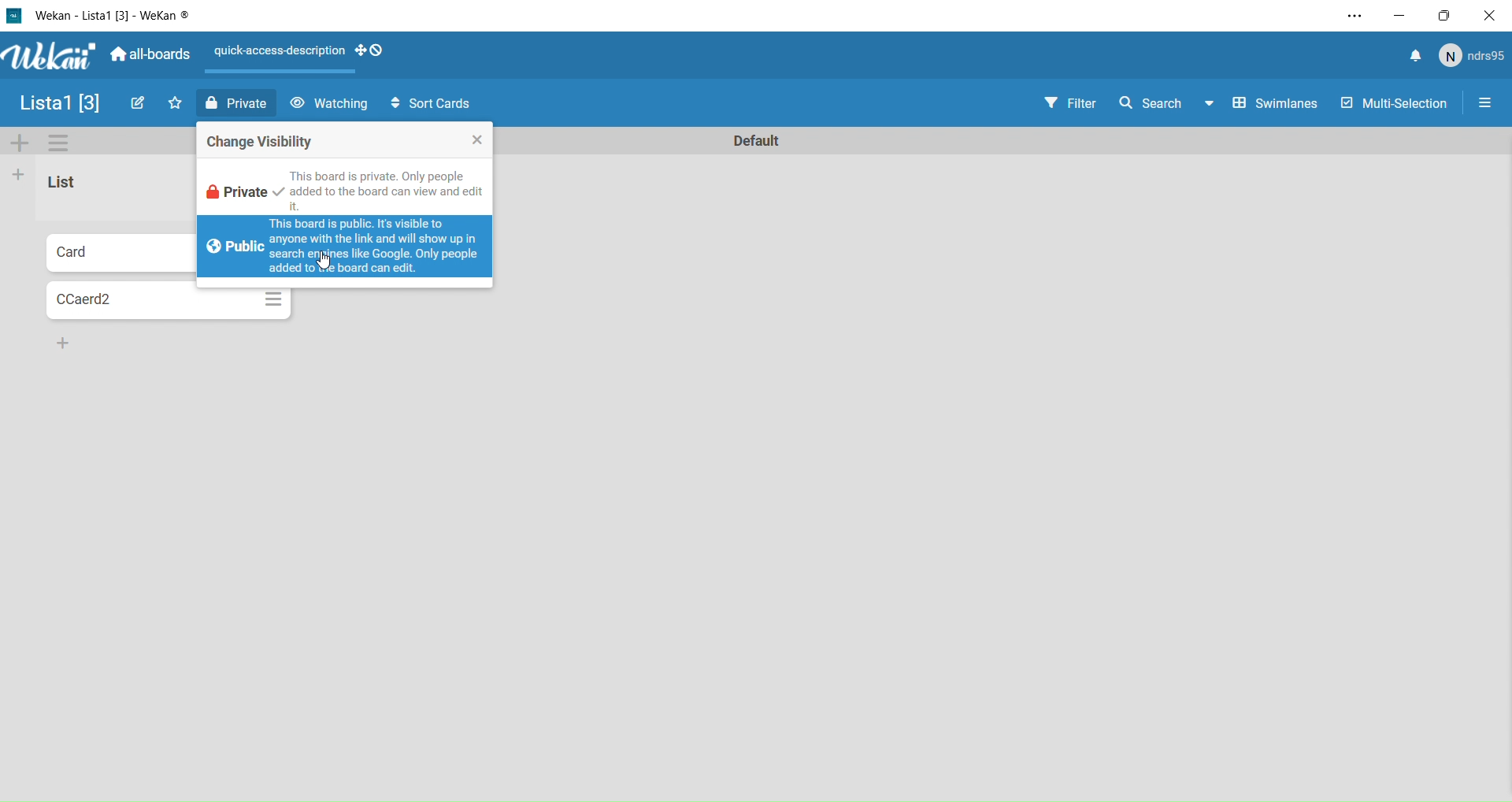 The image size is (1512, 802). Describe the element at coordinates (1392, 106) in the screenshot. I see `Multi Selection` at that location.